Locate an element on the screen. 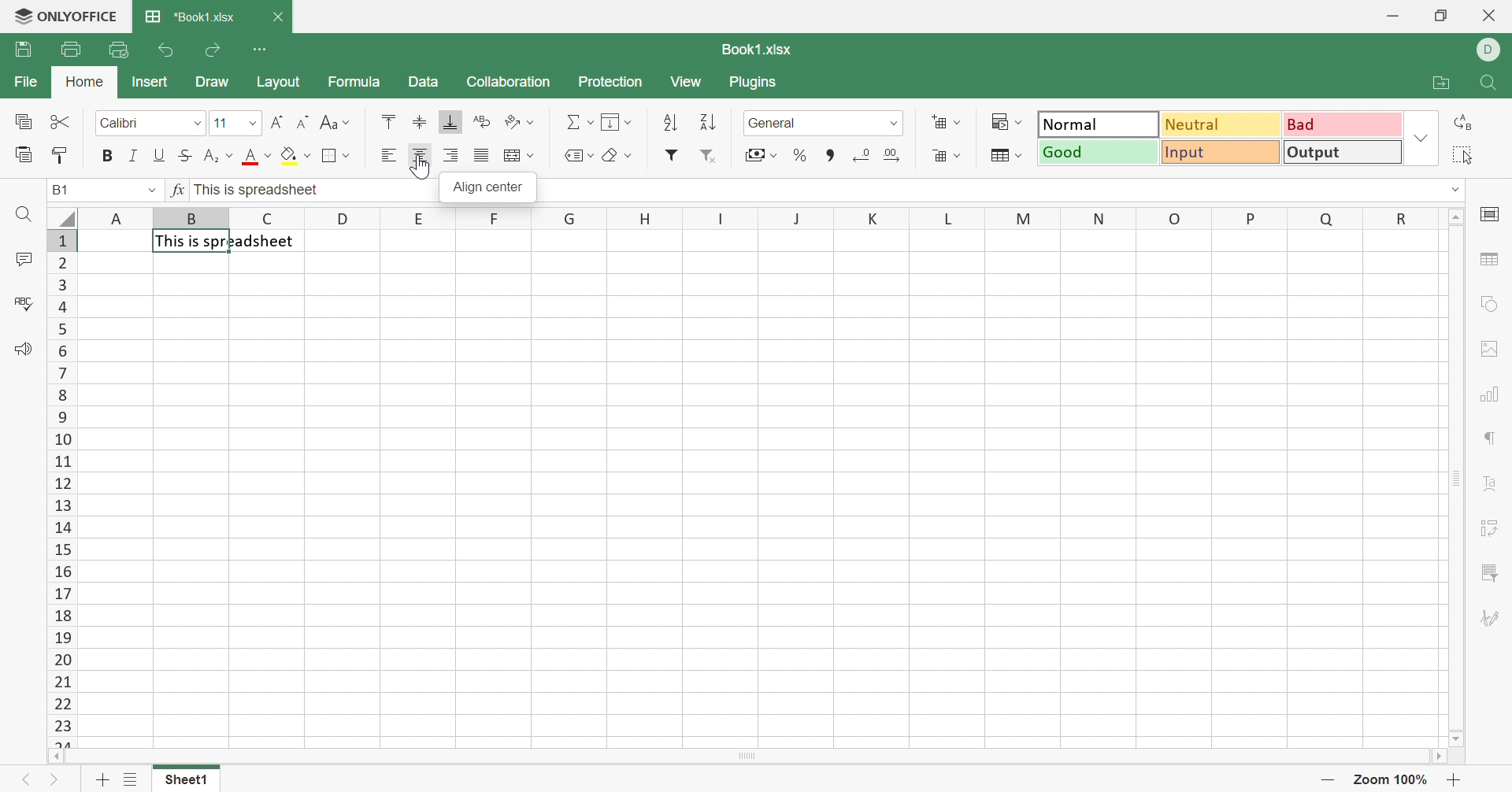 Image resolution: width=1512 pixels, height=792 pixels. Drop Down is located at coordinates (627, 154).